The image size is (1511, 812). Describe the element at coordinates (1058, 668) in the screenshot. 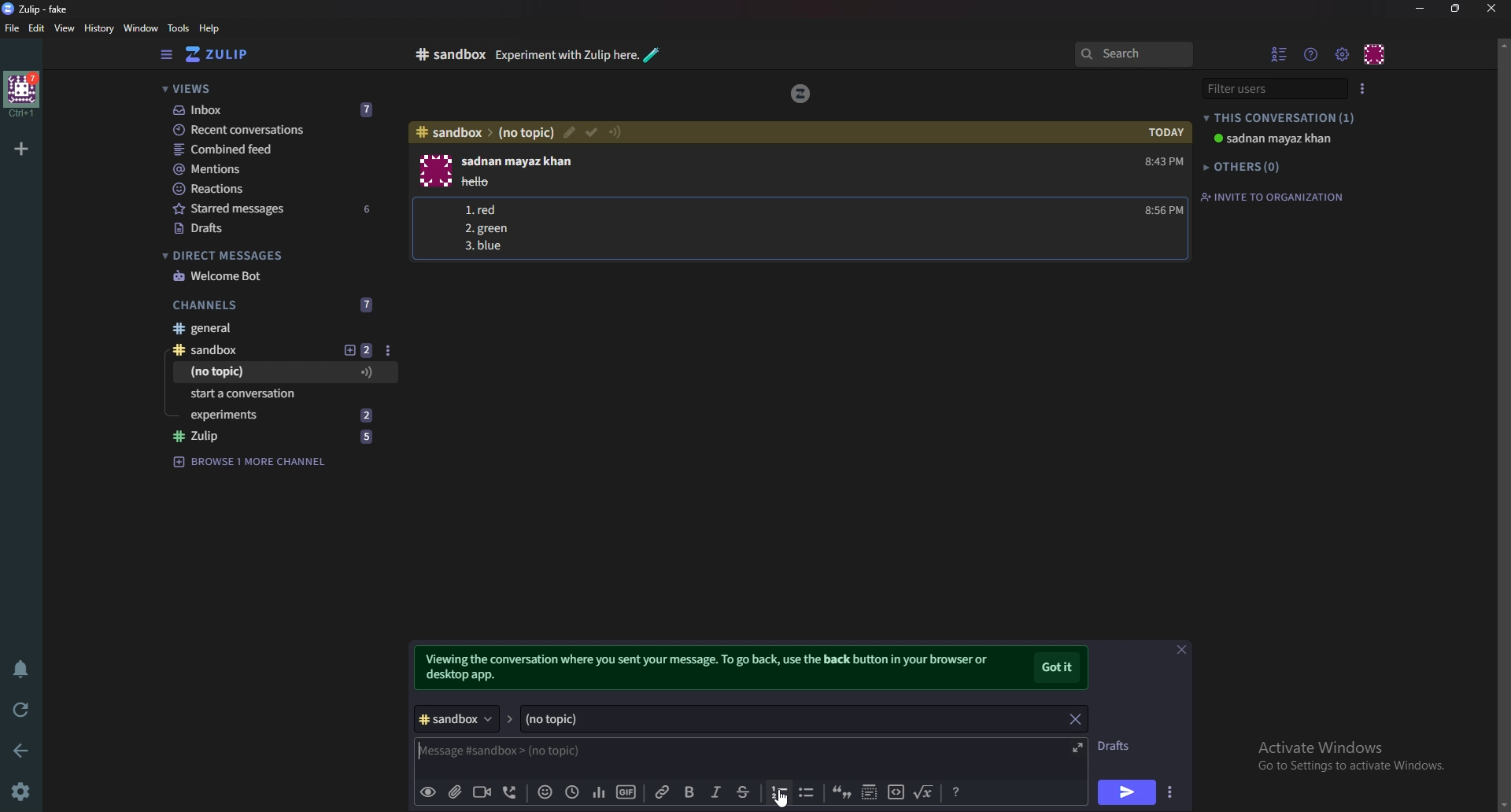

I see `got it` at that location.